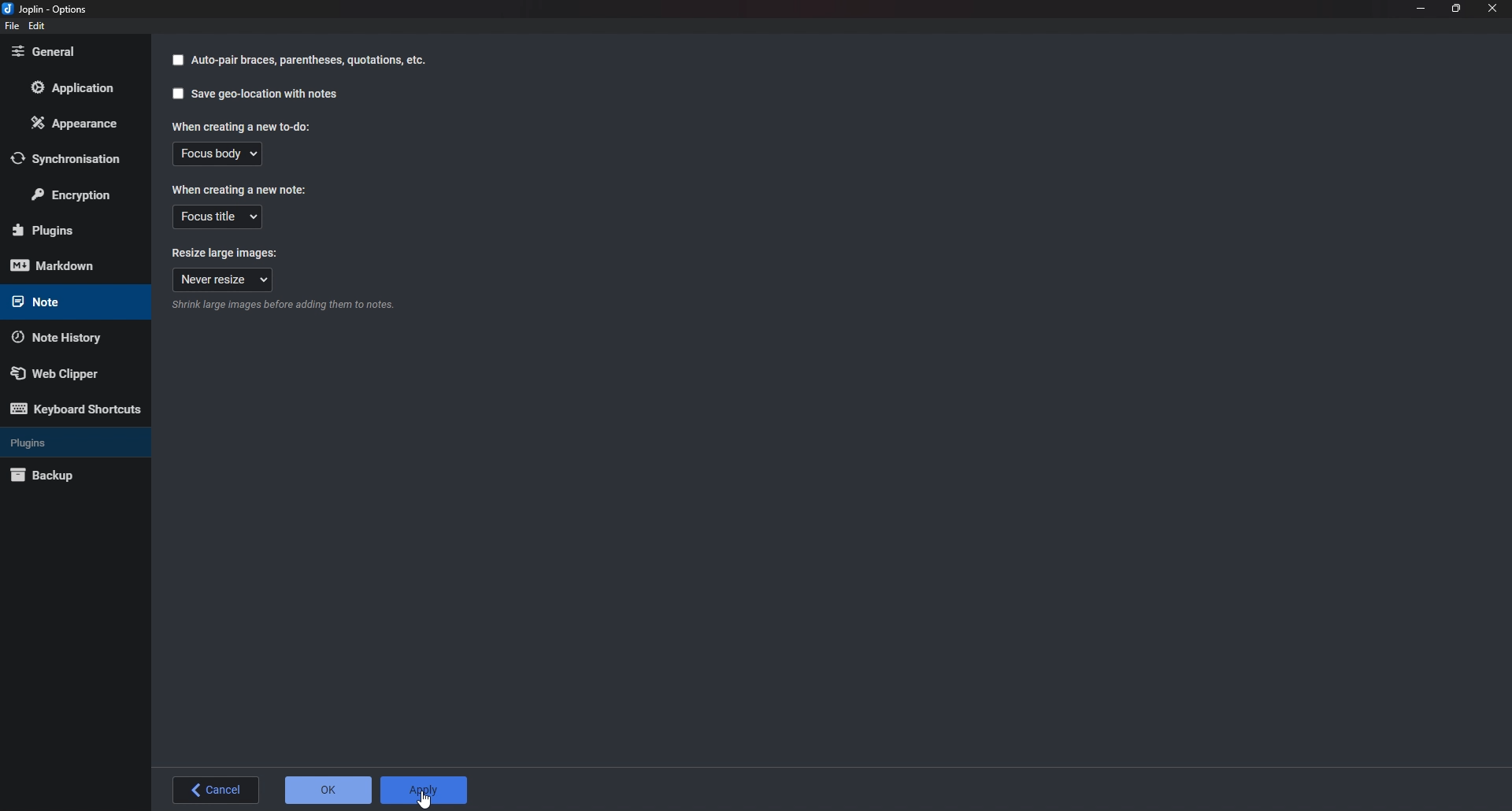 This screenshot has width=1512, height=811. Describe the element at coordinates (222, 280) in the screenshot. I see `Never resize` at that location.